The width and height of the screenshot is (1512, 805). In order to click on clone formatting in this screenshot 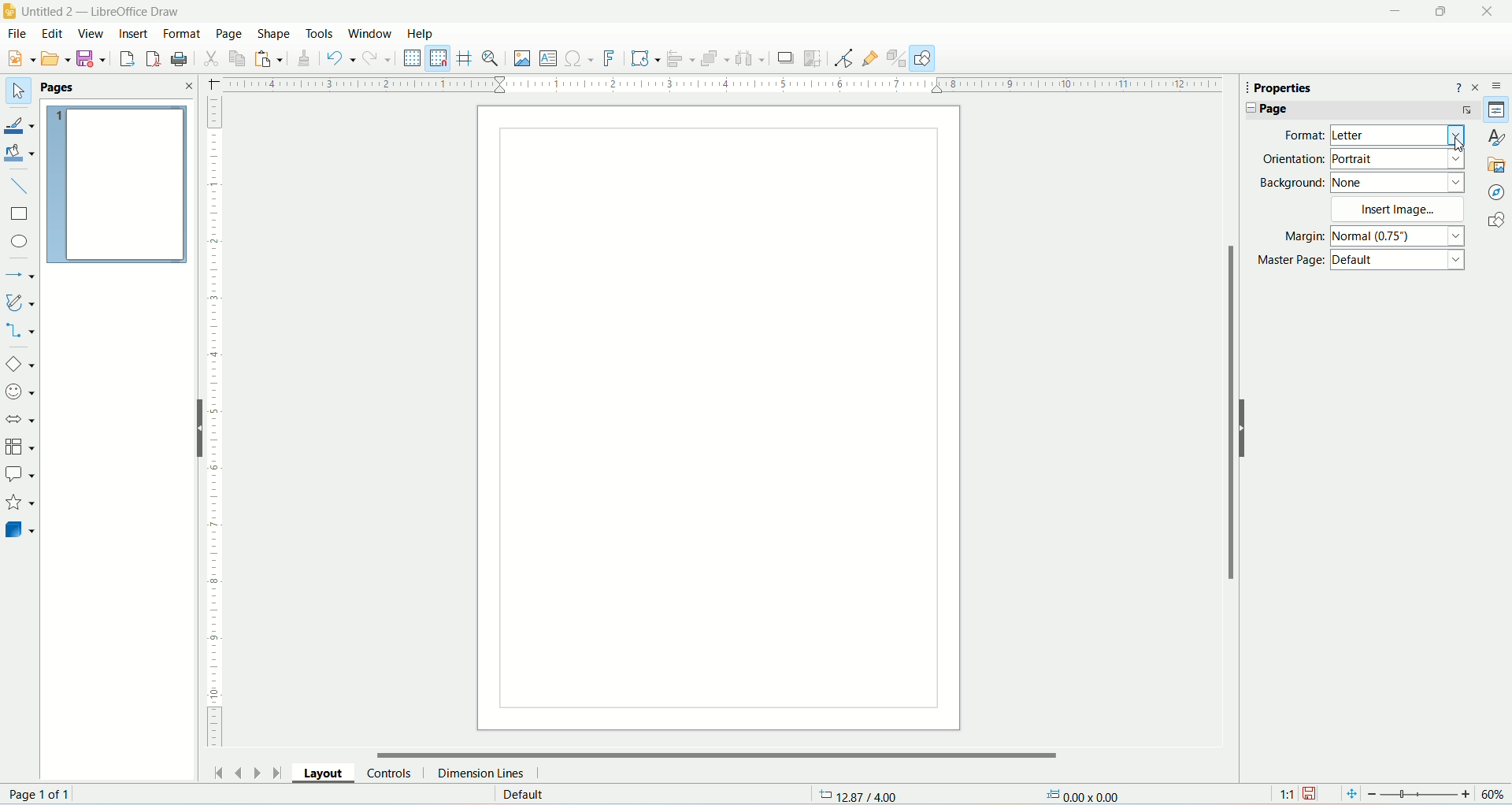, I will do `click(307, 61)`.